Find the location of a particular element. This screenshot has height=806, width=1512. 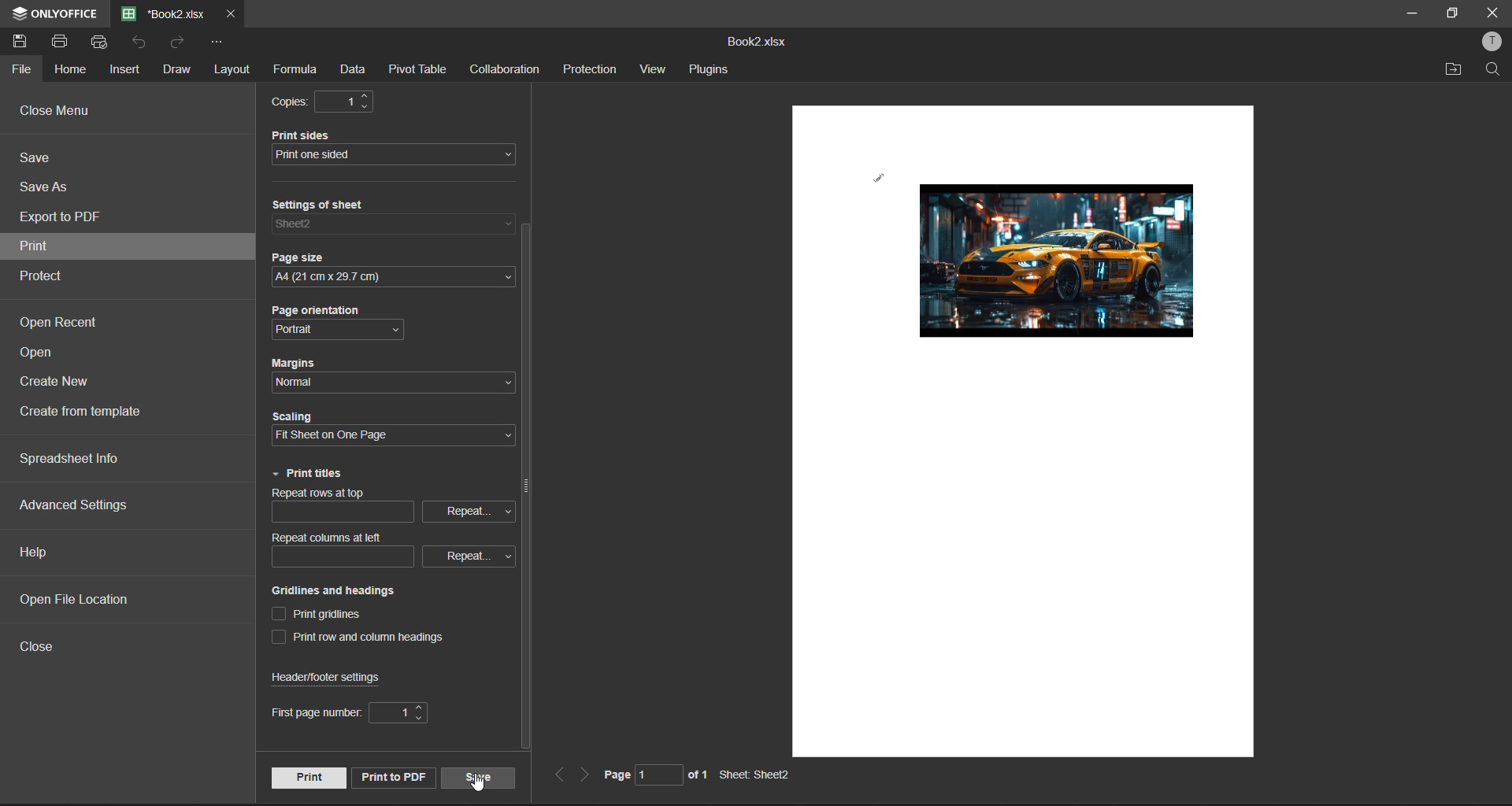

A4 (21cm x 29.7 cm) is located at coordinates (382, 279).